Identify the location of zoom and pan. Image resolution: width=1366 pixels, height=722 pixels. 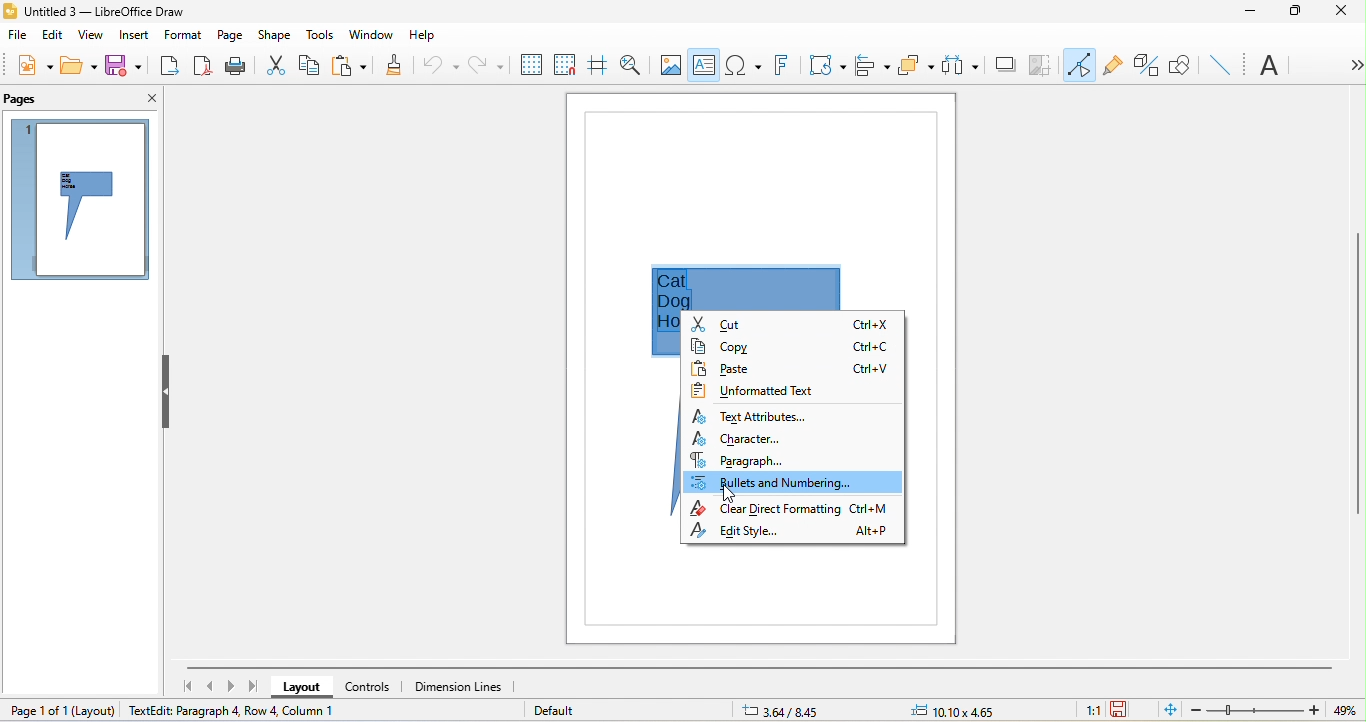
(634, 66).